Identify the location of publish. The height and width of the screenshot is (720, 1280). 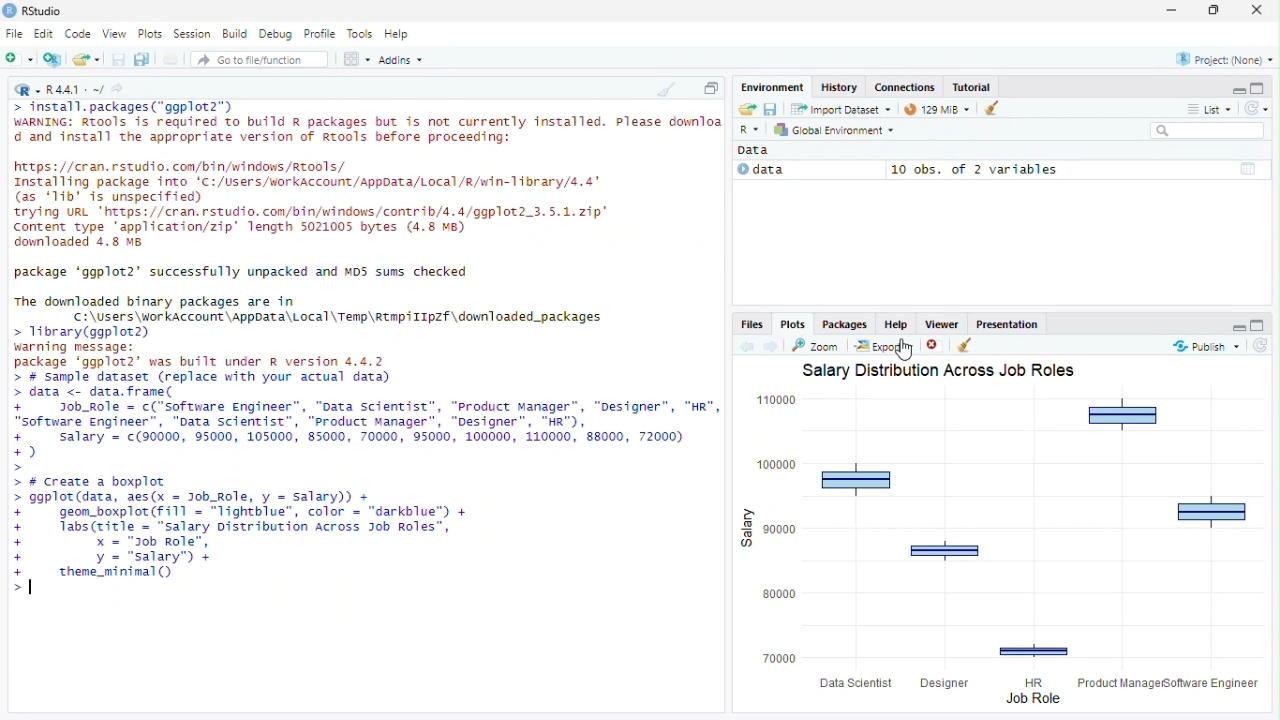
(1207, 346).